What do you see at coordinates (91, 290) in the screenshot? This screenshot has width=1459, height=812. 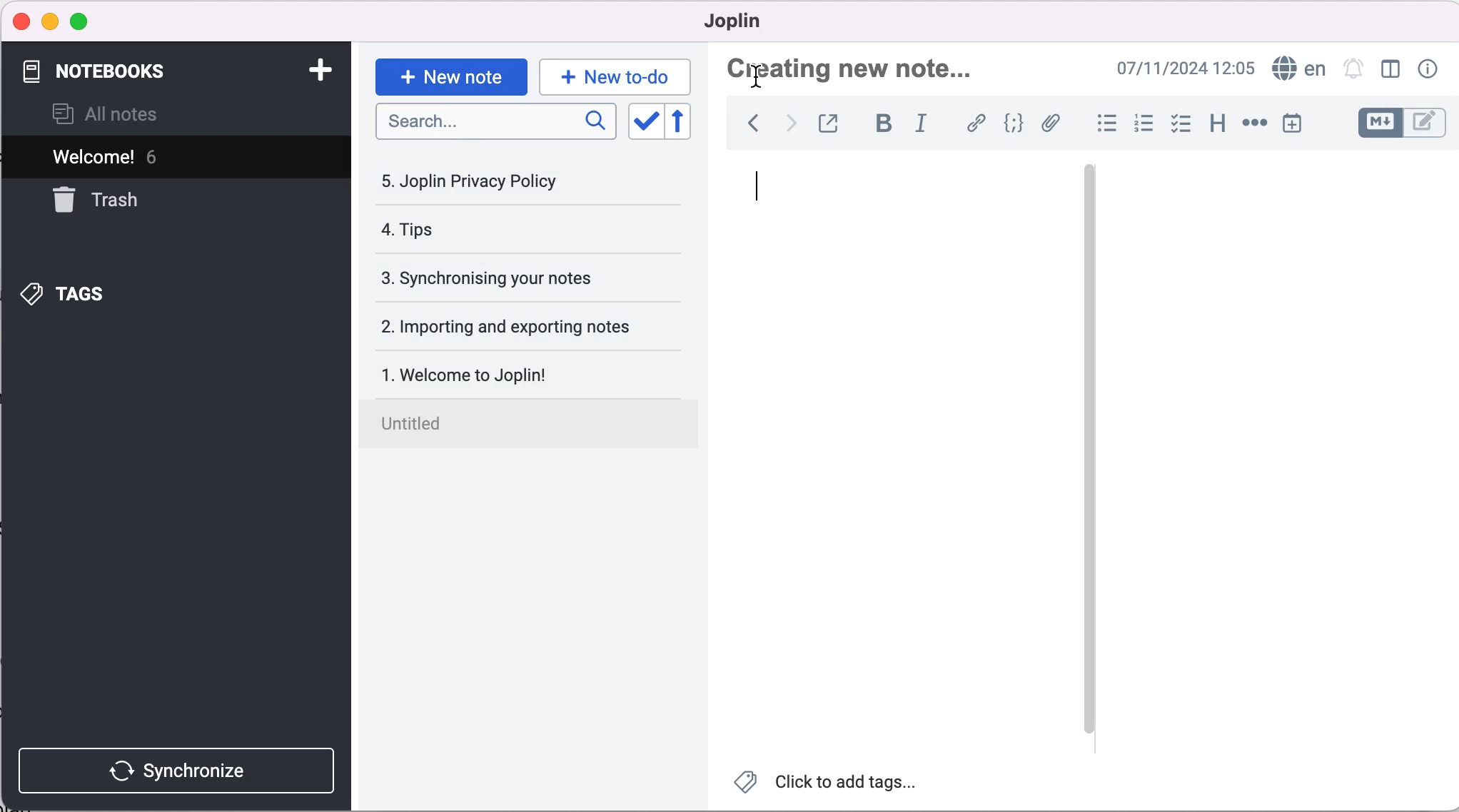 I see `tags` at bounding box center [91, 290].